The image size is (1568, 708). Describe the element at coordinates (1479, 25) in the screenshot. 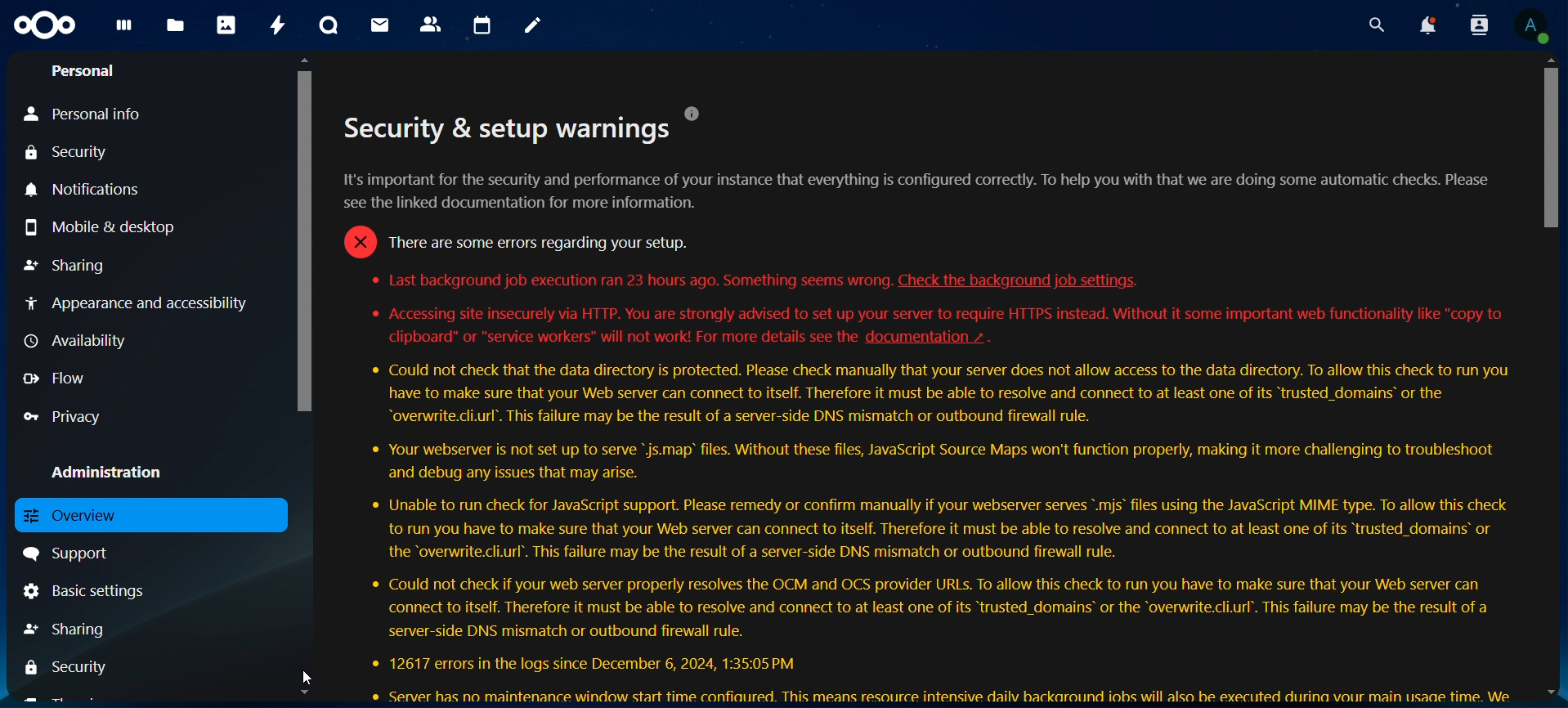

I see `search contacts` at that location.